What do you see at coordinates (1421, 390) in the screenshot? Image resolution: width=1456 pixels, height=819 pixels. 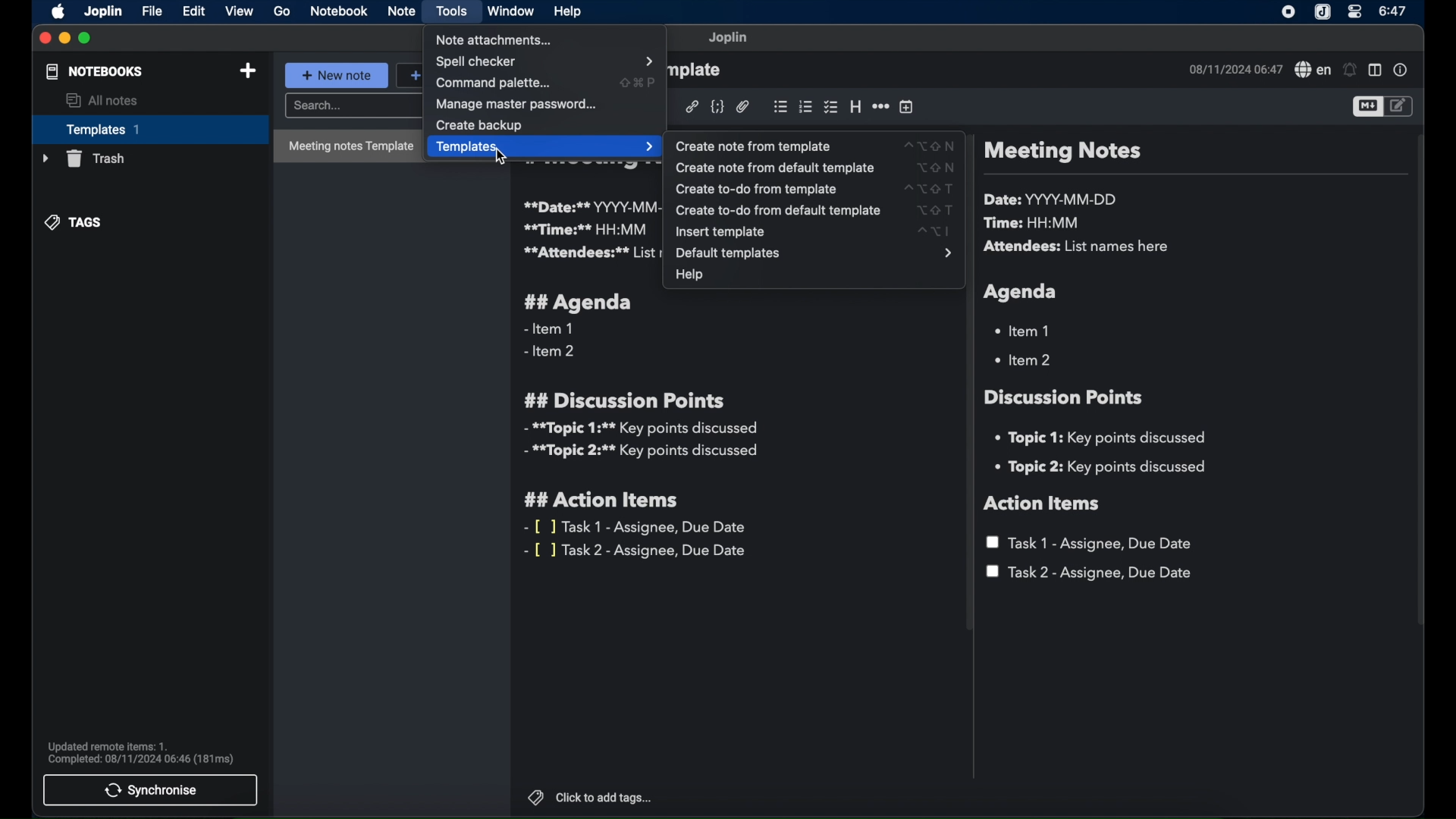 I see `scroll bar` at bounding box center [1421, 390].